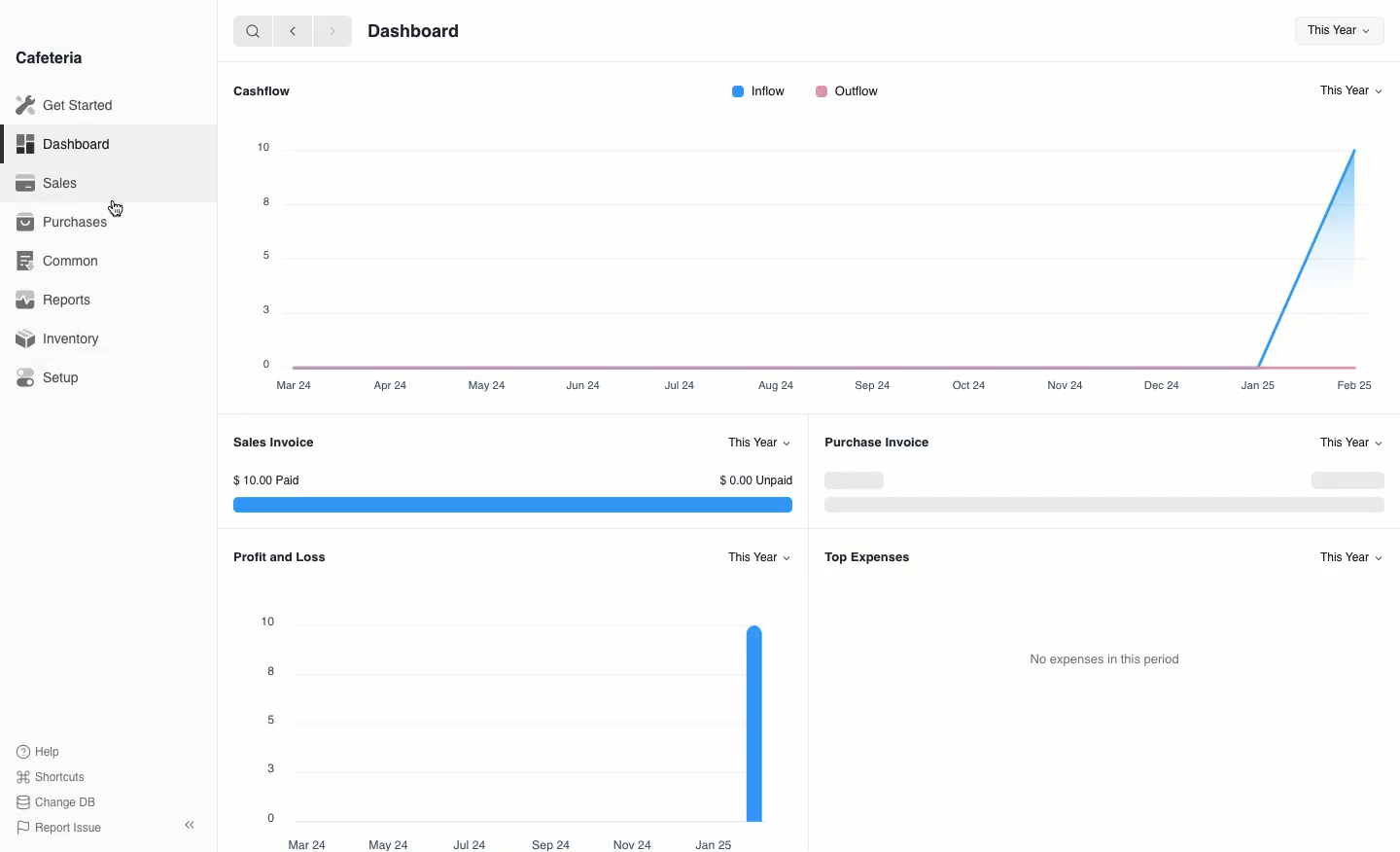 The height and width of the screenshot is (852, 1400). Describe the element at coordinates (515, 506) in the screenshot. I see `Graph` at that location.